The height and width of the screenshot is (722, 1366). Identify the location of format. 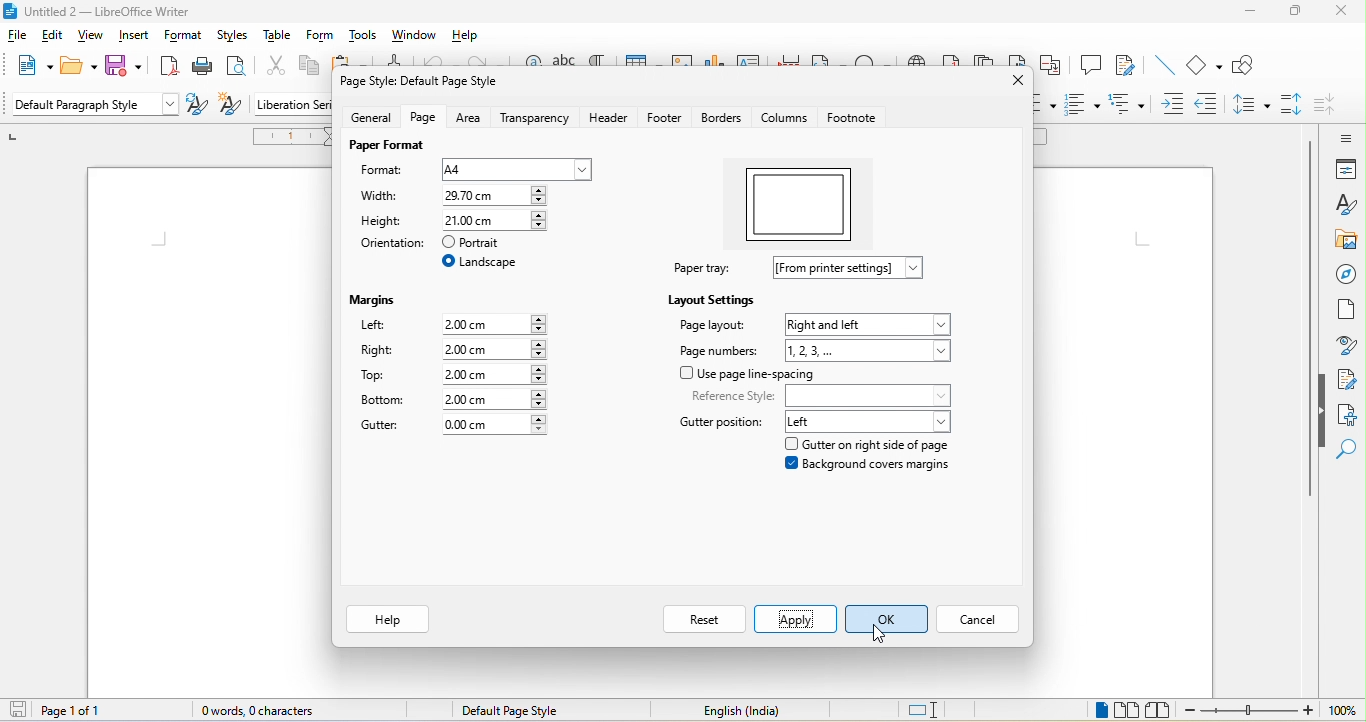
(183, 38).